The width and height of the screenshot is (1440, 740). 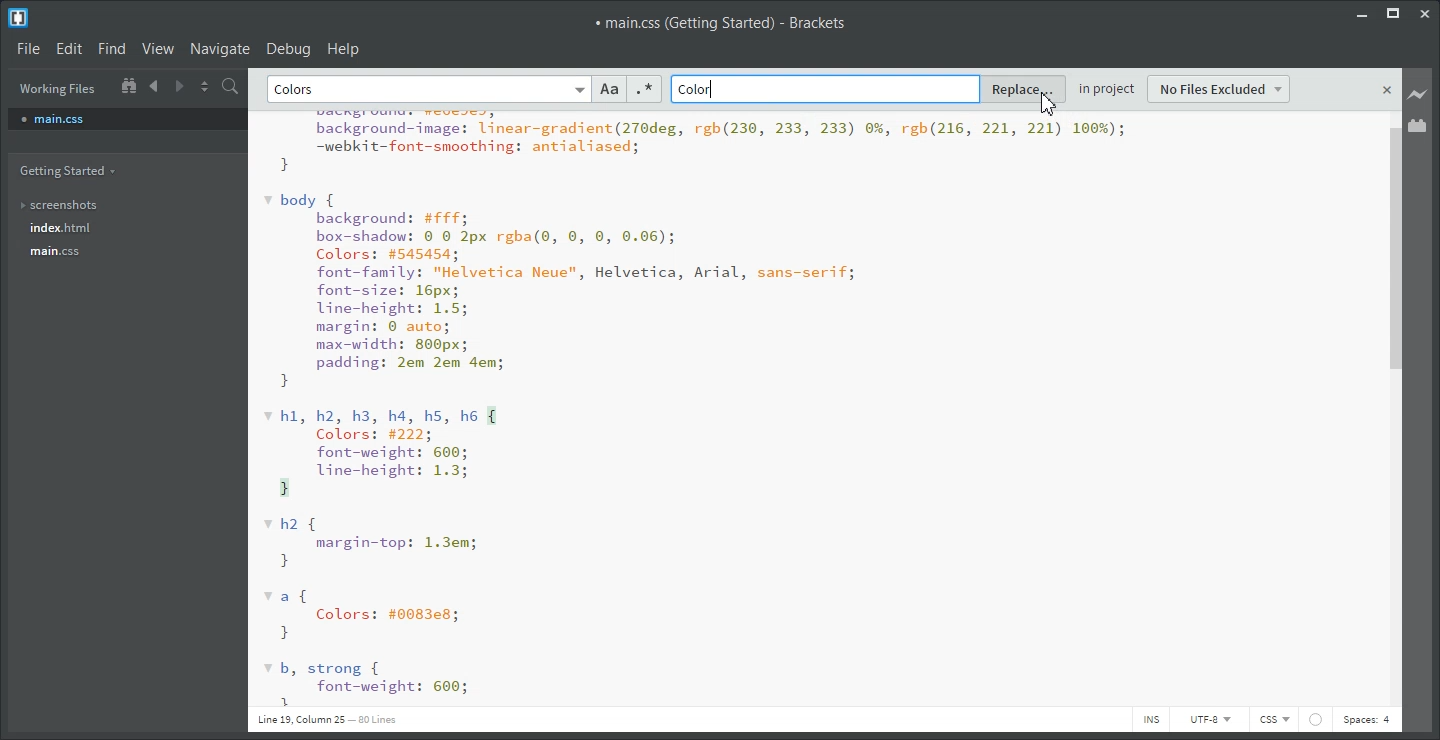 What do you see at coordinates (20, 17) in the screenshot?
I see `Logo` at bounding box center [20, 17].